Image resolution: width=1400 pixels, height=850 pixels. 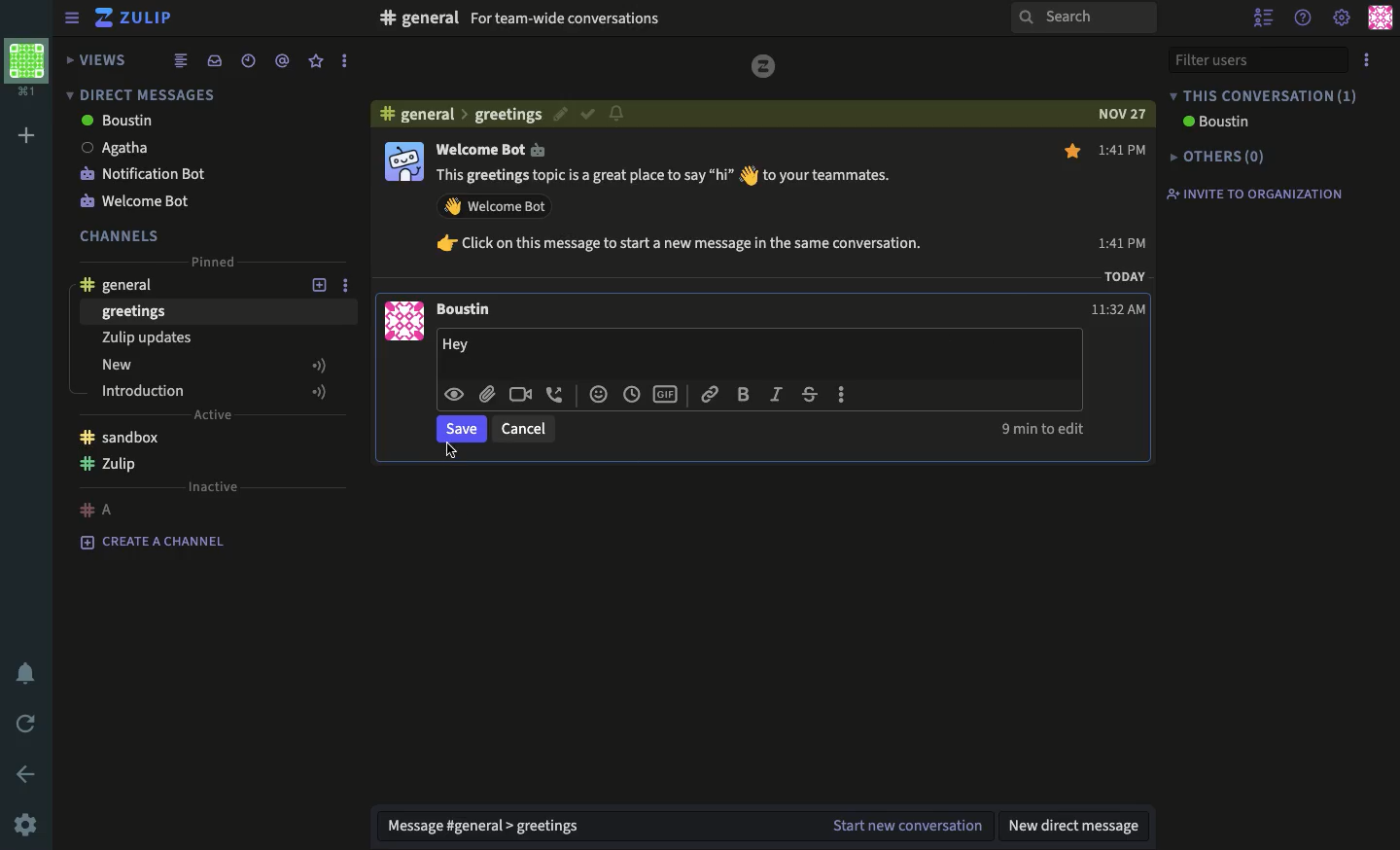 What do you see at coordinates (25, 826) in the screenshot?
I see `settings` at bounding box center [25, 826].